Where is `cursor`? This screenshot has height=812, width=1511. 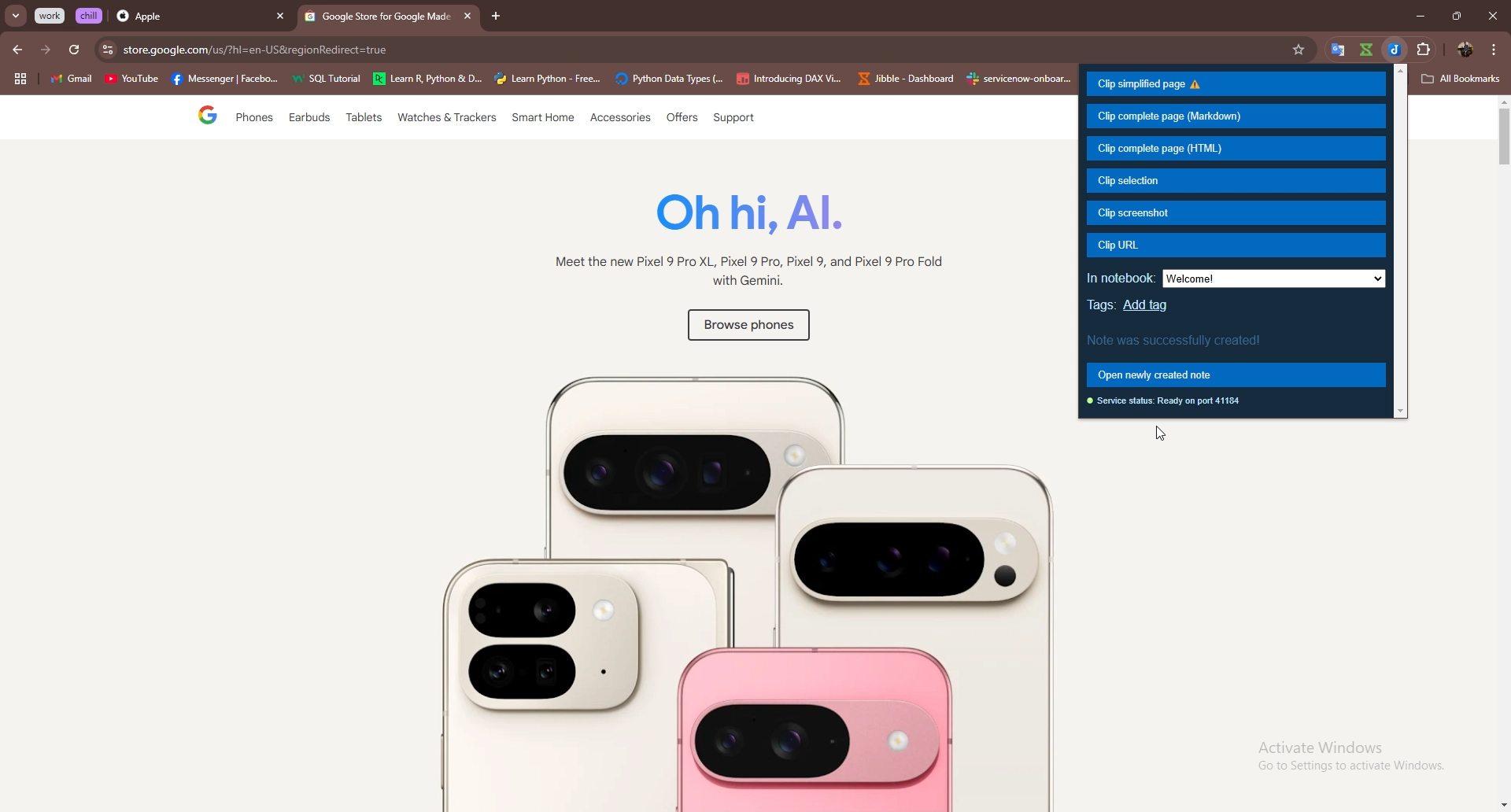
cursor is located at coordinates (1159, 437).